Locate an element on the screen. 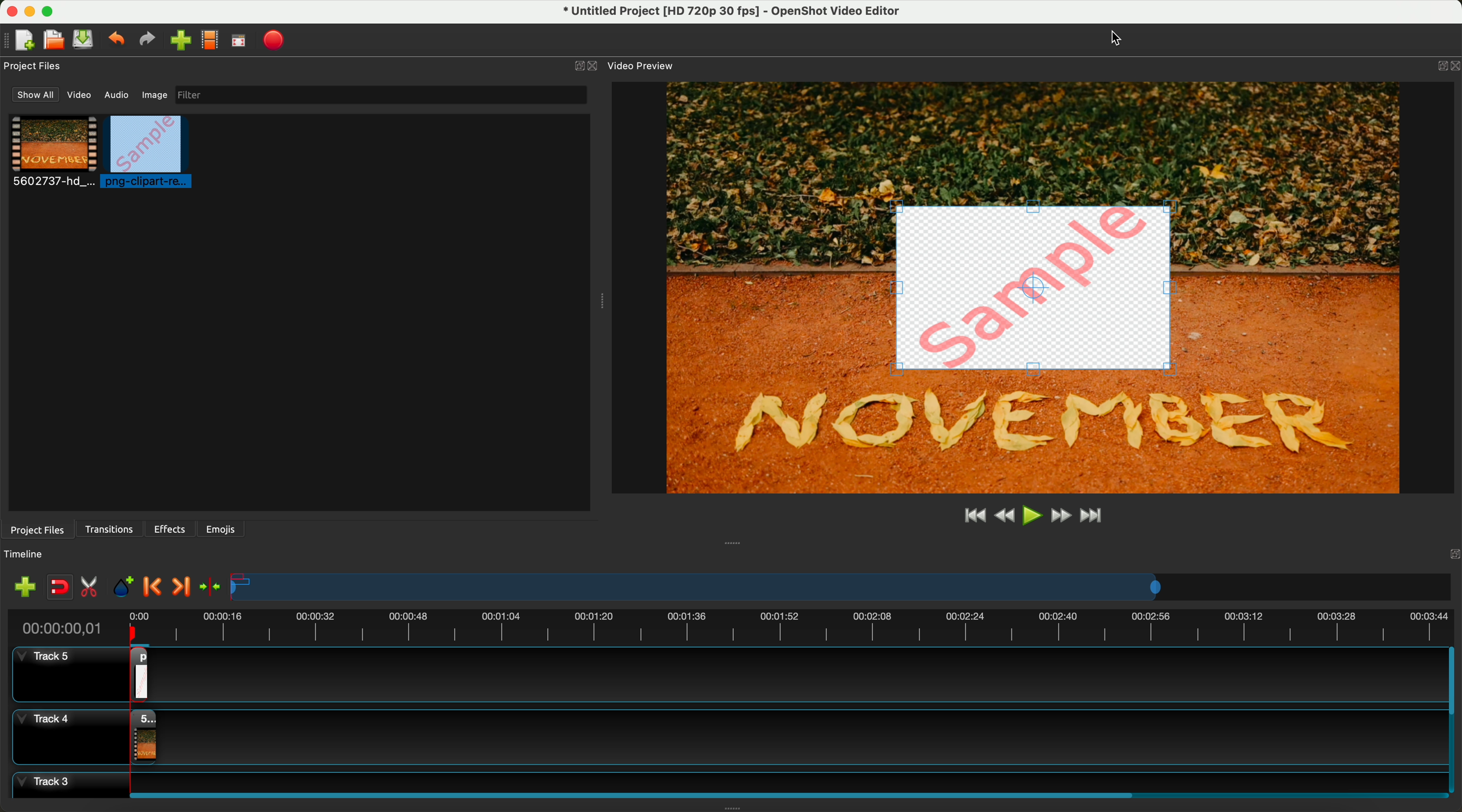 The image size is (1462, 812). click on import files is located at coordinates (183, 41).